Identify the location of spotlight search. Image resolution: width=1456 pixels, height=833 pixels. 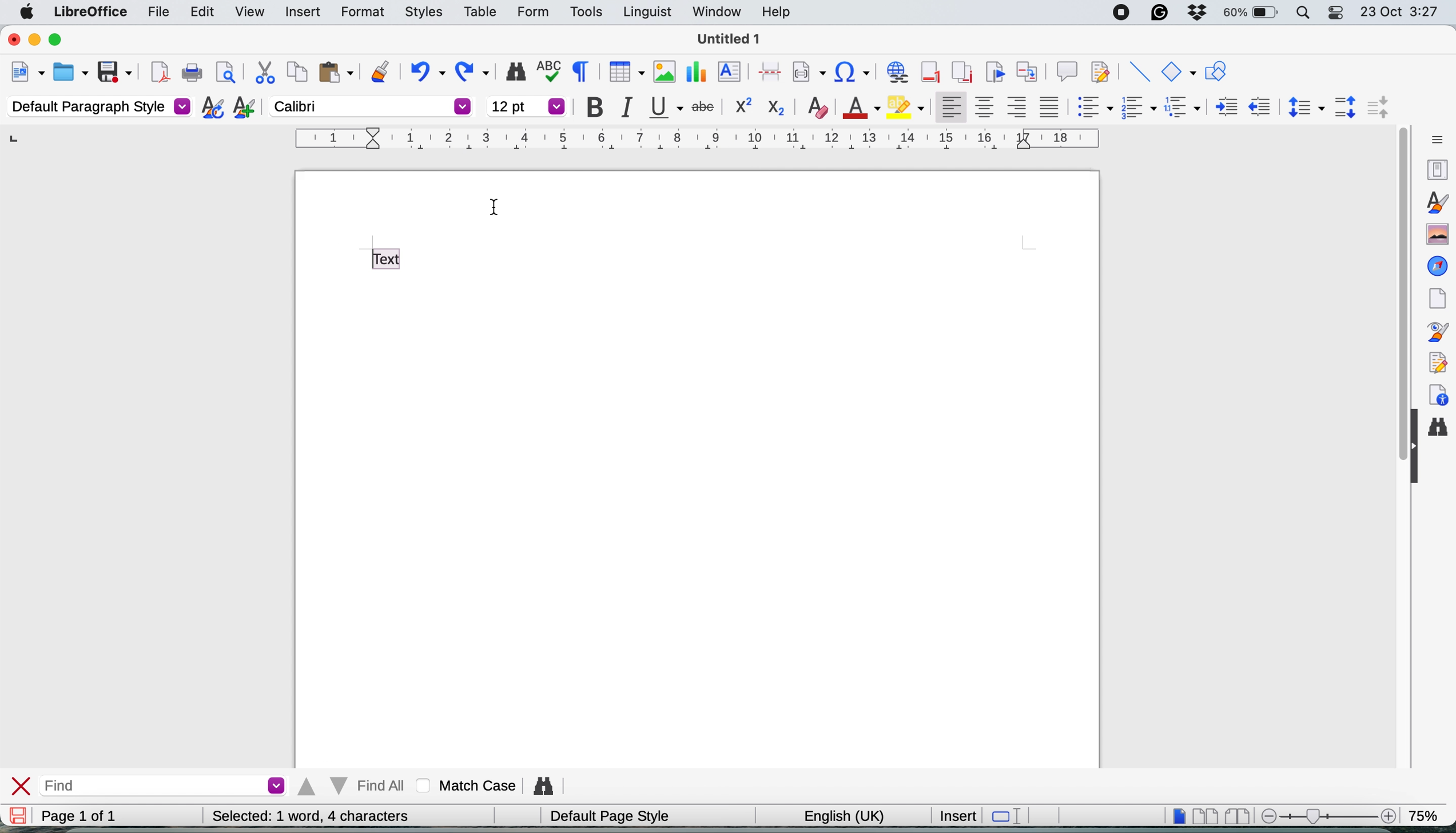
(1302, 14).